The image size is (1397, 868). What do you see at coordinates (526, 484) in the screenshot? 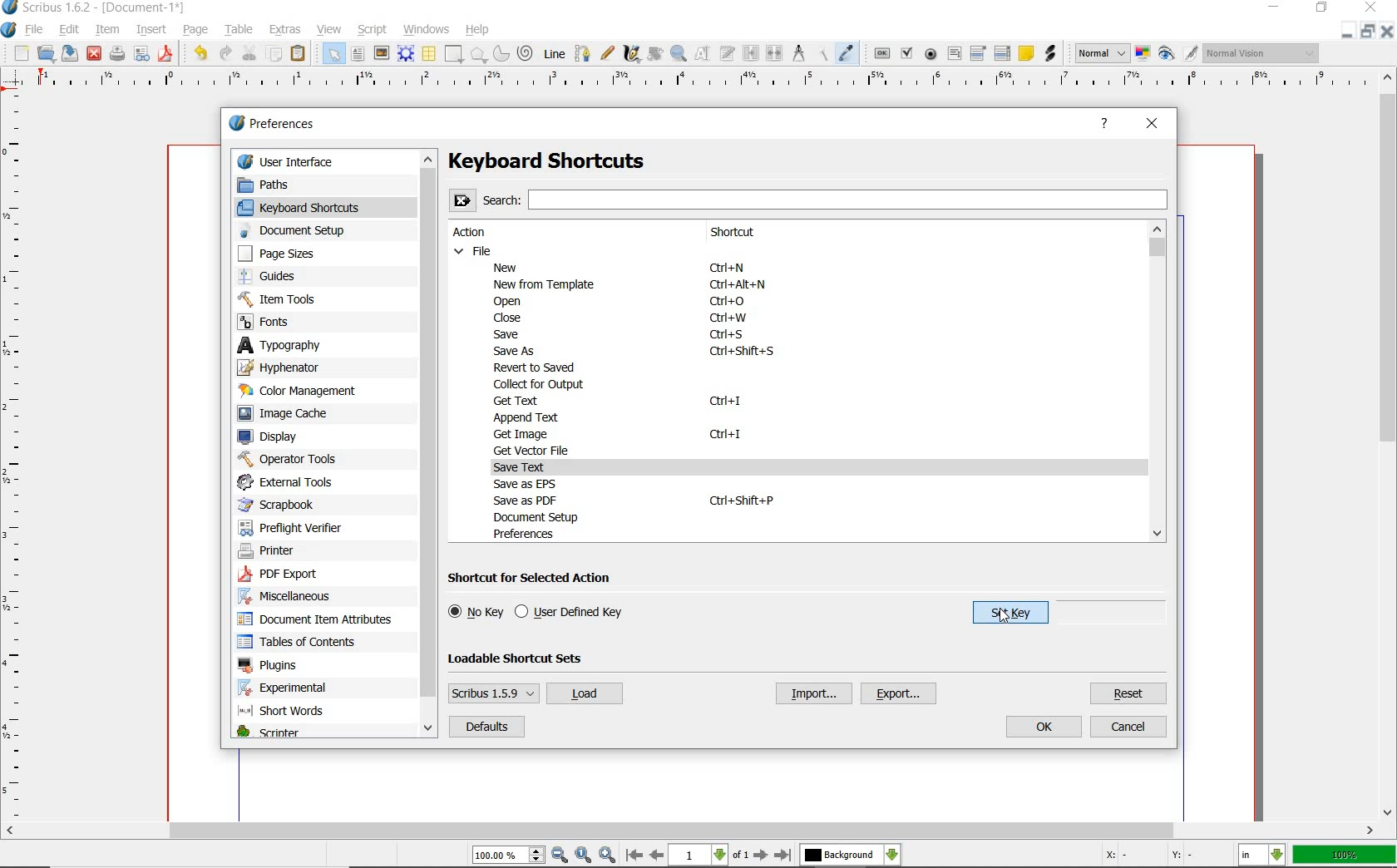
I see `save as EPS` at bounding box center [526, 484].